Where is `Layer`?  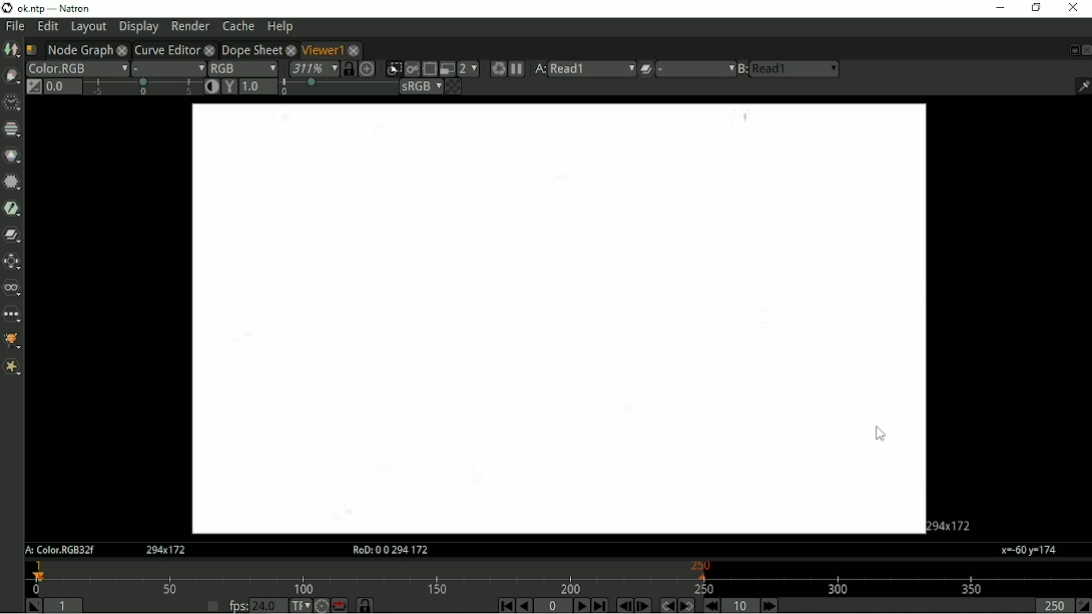 Layer is located at coordinates (77, 69).